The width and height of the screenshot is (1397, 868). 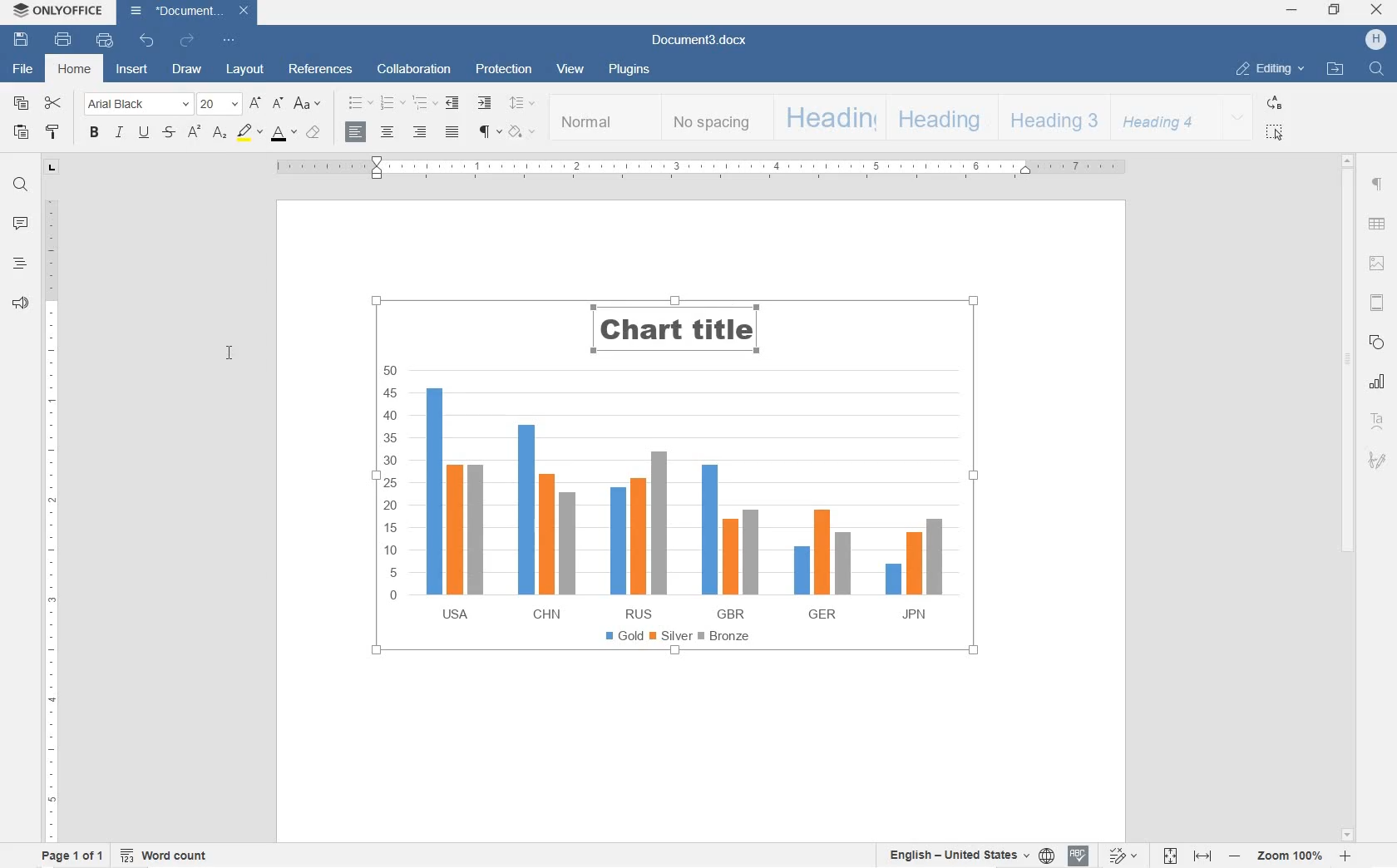 What do you see at coordinates (316, 131) in the screenshot?
I see `non printing characters` at bounding box center [316, 131].